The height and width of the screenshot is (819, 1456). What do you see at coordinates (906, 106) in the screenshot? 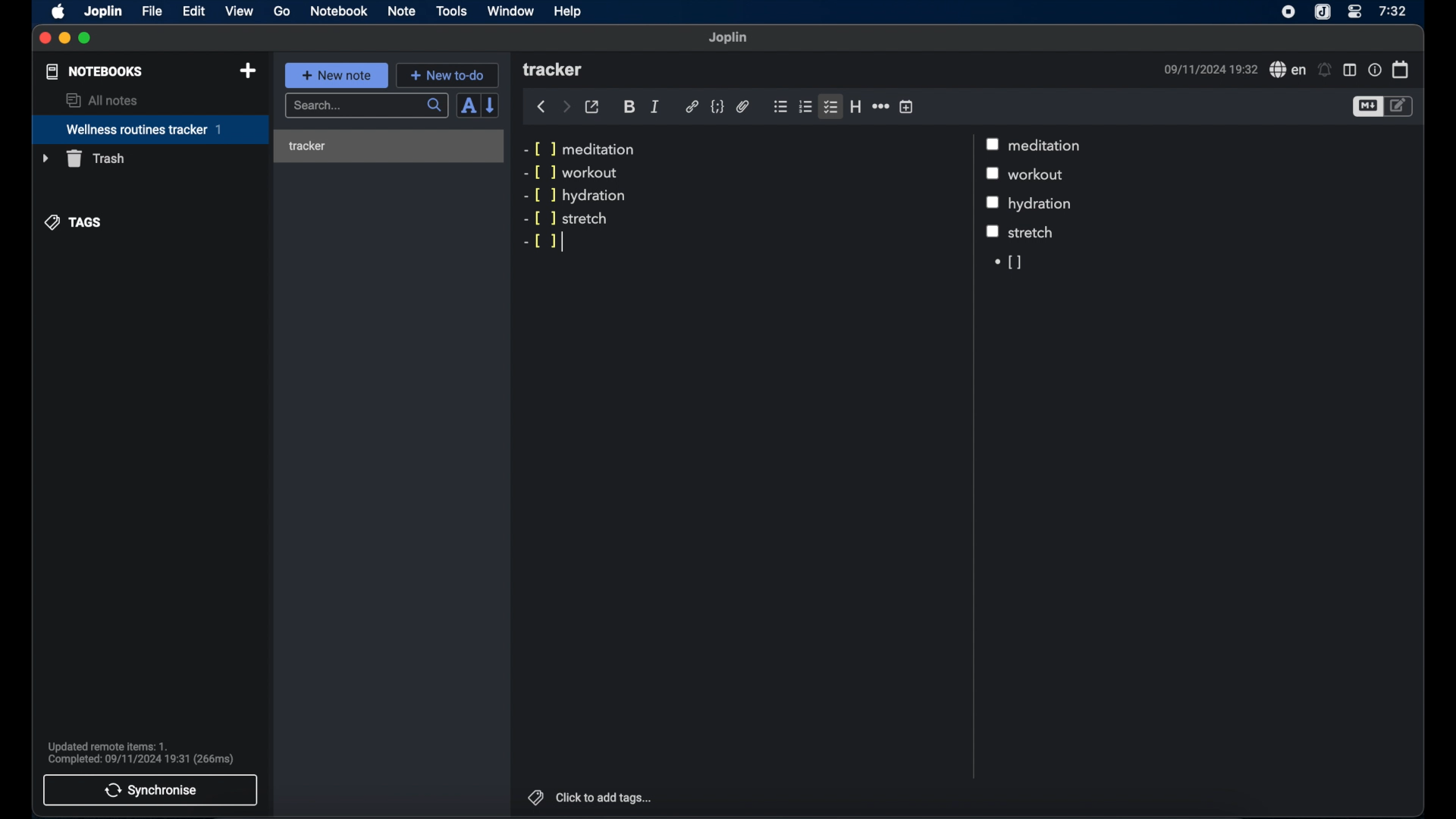
I see `insert time` at bounding box center [906, 106].